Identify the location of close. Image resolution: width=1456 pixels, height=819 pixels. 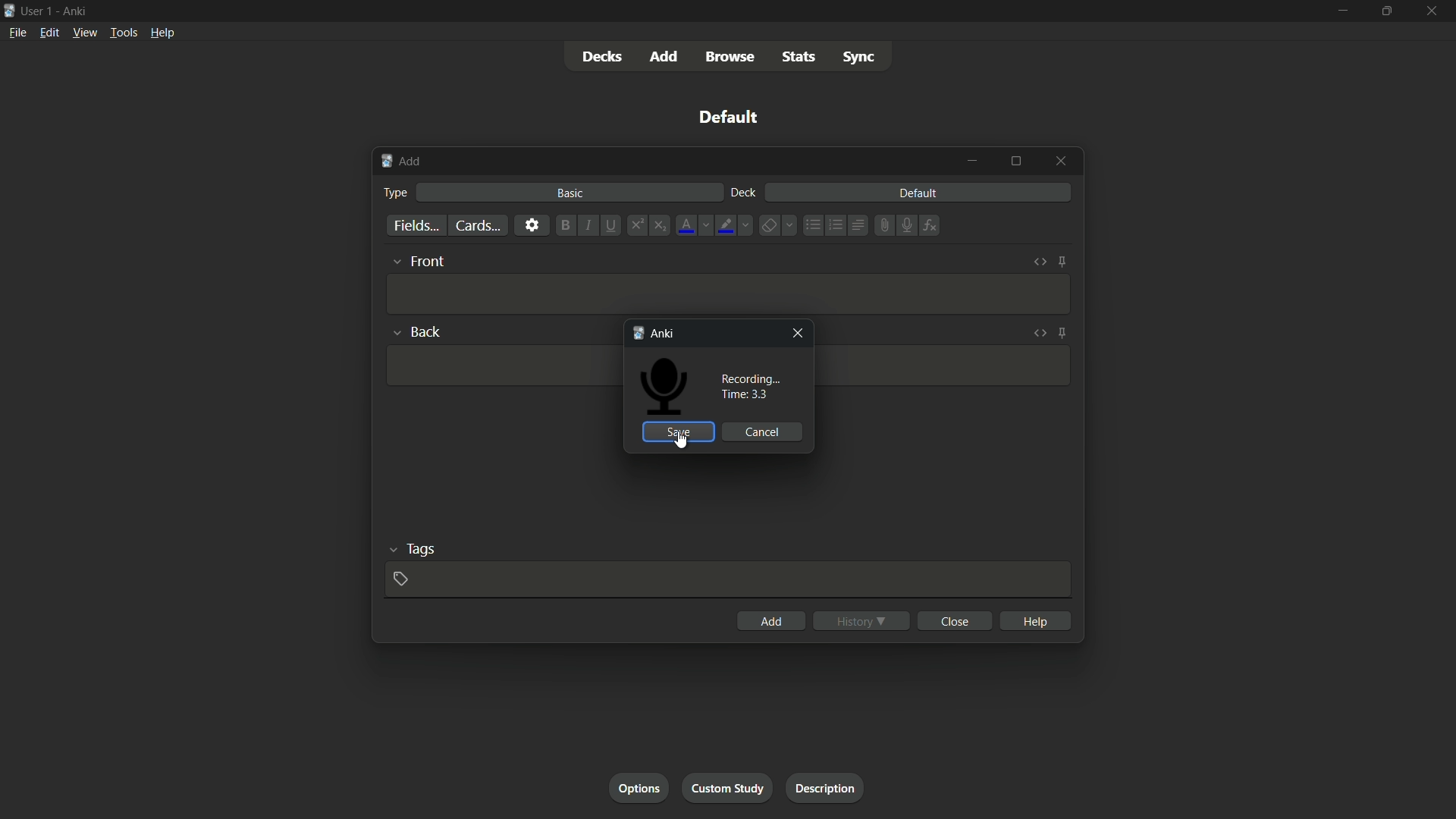
(954, 621).